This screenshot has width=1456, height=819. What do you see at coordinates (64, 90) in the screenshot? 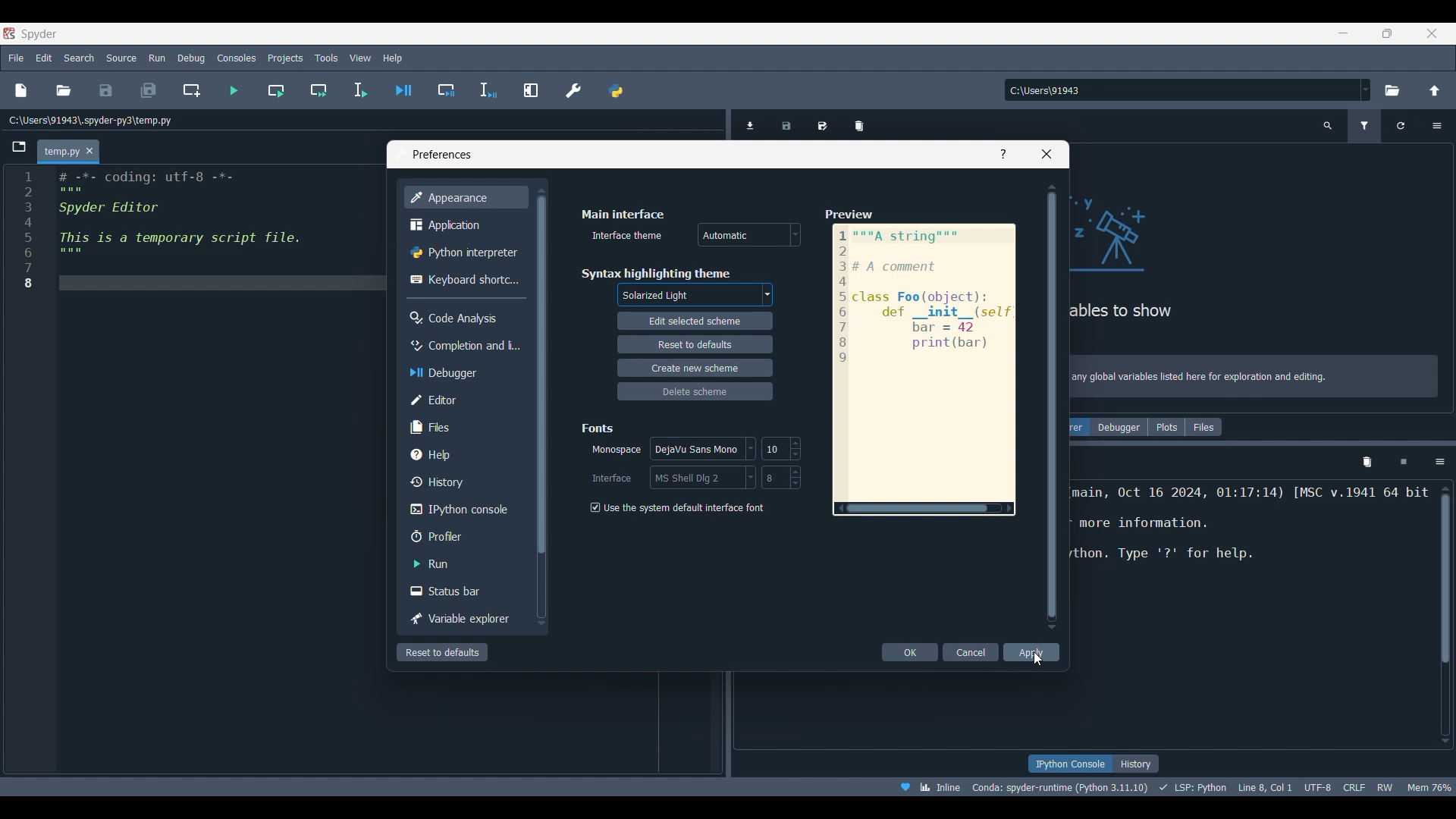
I see `Open file` at bounding box center [64, 90].